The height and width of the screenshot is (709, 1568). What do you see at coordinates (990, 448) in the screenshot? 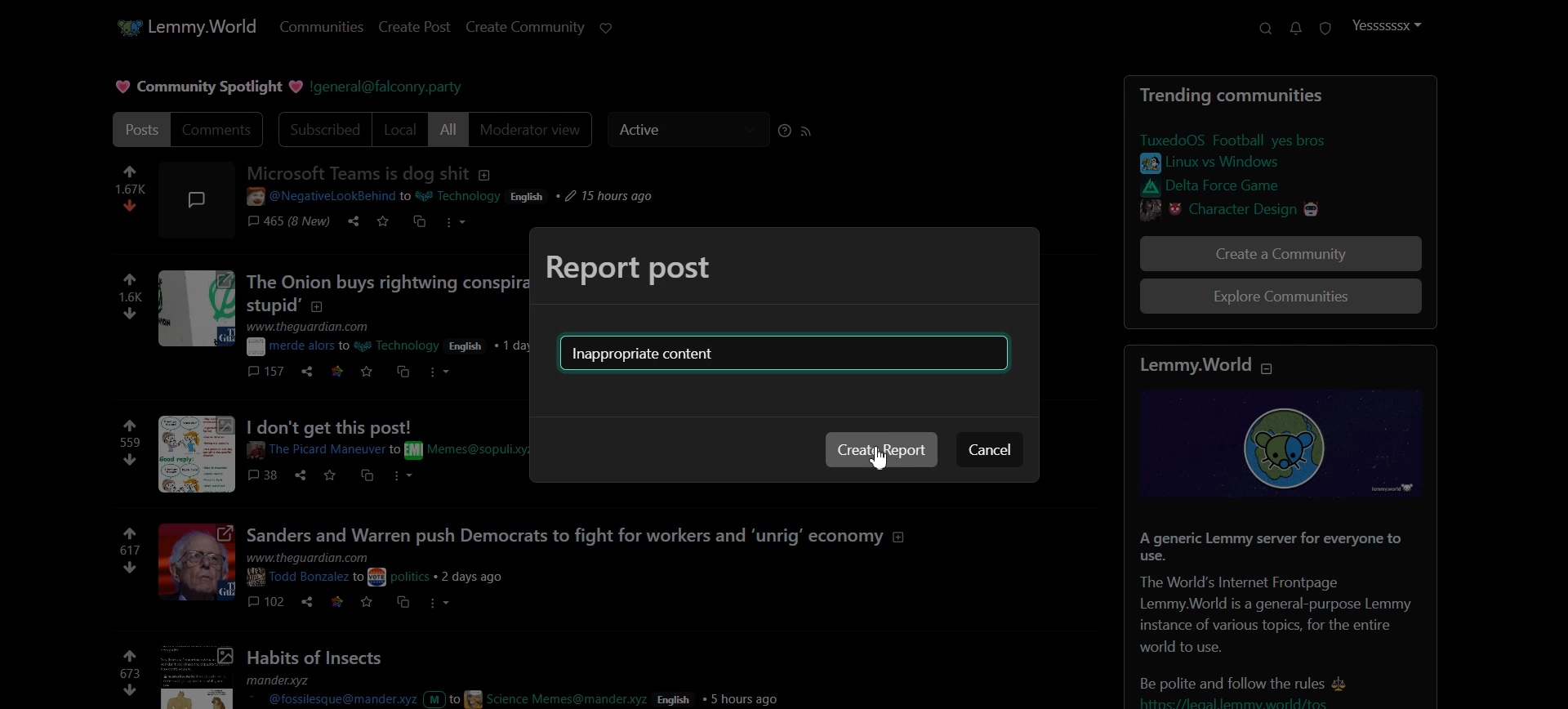
I see `Cancel` at bounding box center [990, 448].